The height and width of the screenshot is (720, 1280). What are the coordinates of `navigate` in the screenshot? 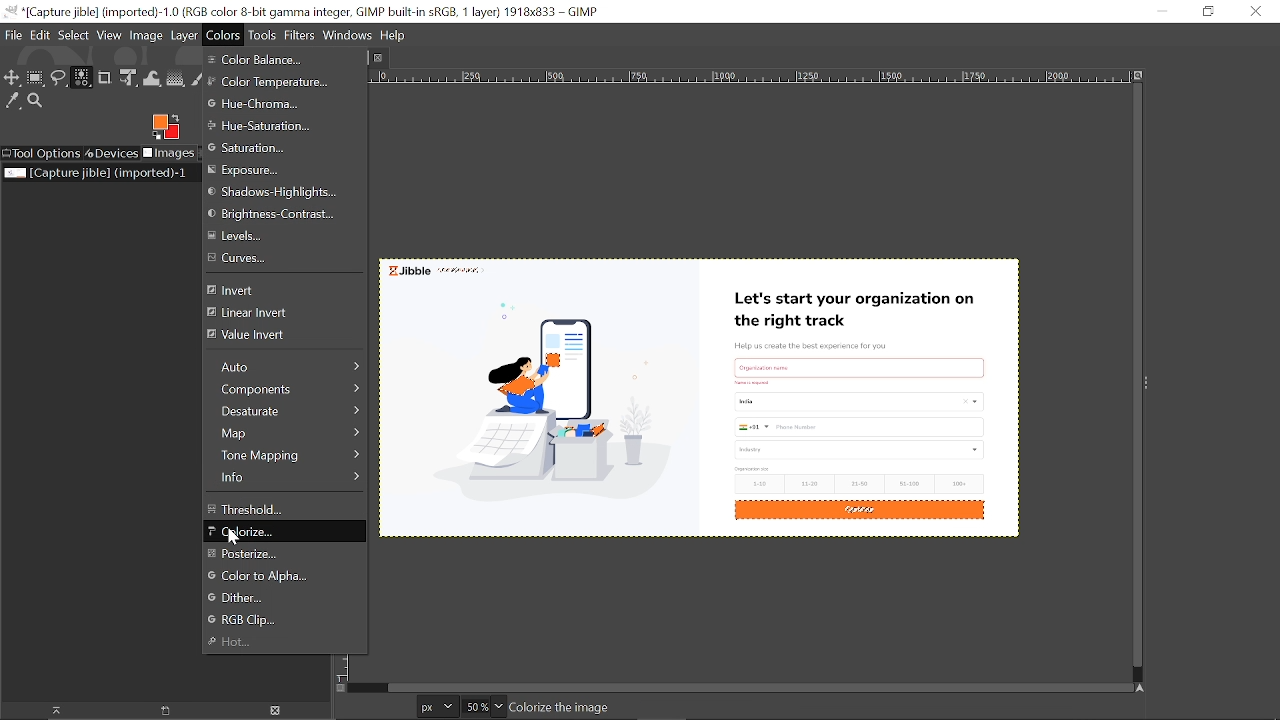 It's located at (342, 689).